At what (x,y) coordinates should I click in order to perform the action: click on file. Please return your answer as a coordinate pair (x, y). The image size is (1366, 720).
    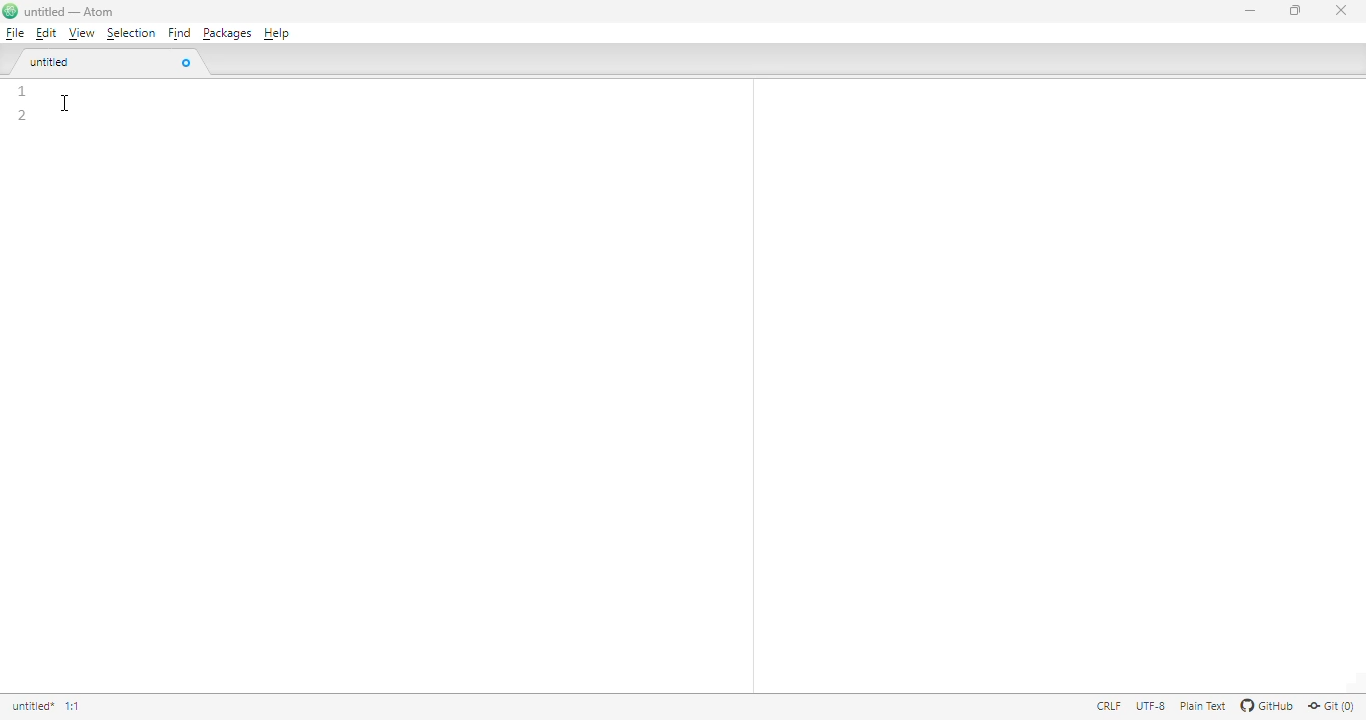
    Looking at the image, I should click on (16, 33).